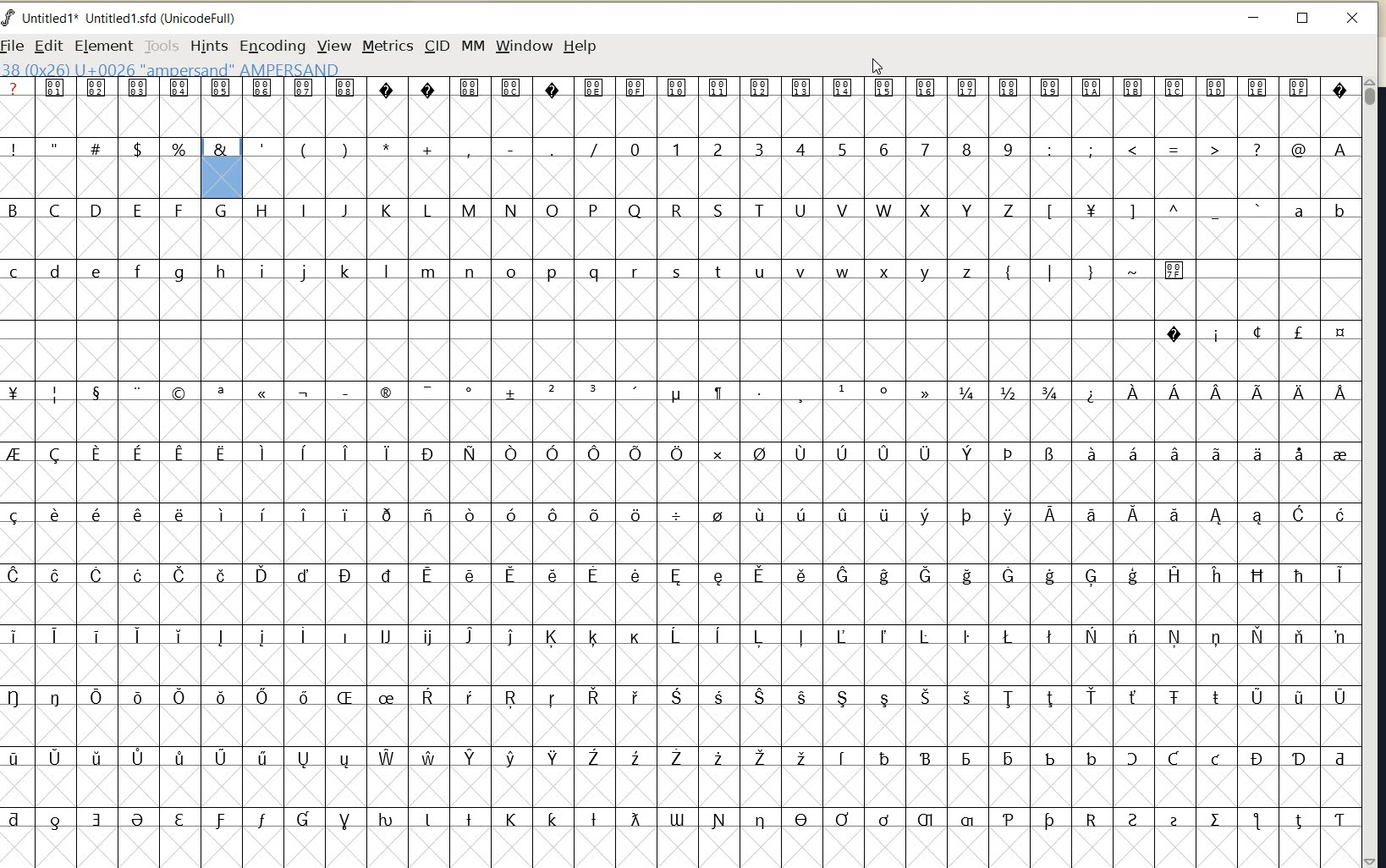  I want to click on SCROLLBAR, so click(1372, 472).